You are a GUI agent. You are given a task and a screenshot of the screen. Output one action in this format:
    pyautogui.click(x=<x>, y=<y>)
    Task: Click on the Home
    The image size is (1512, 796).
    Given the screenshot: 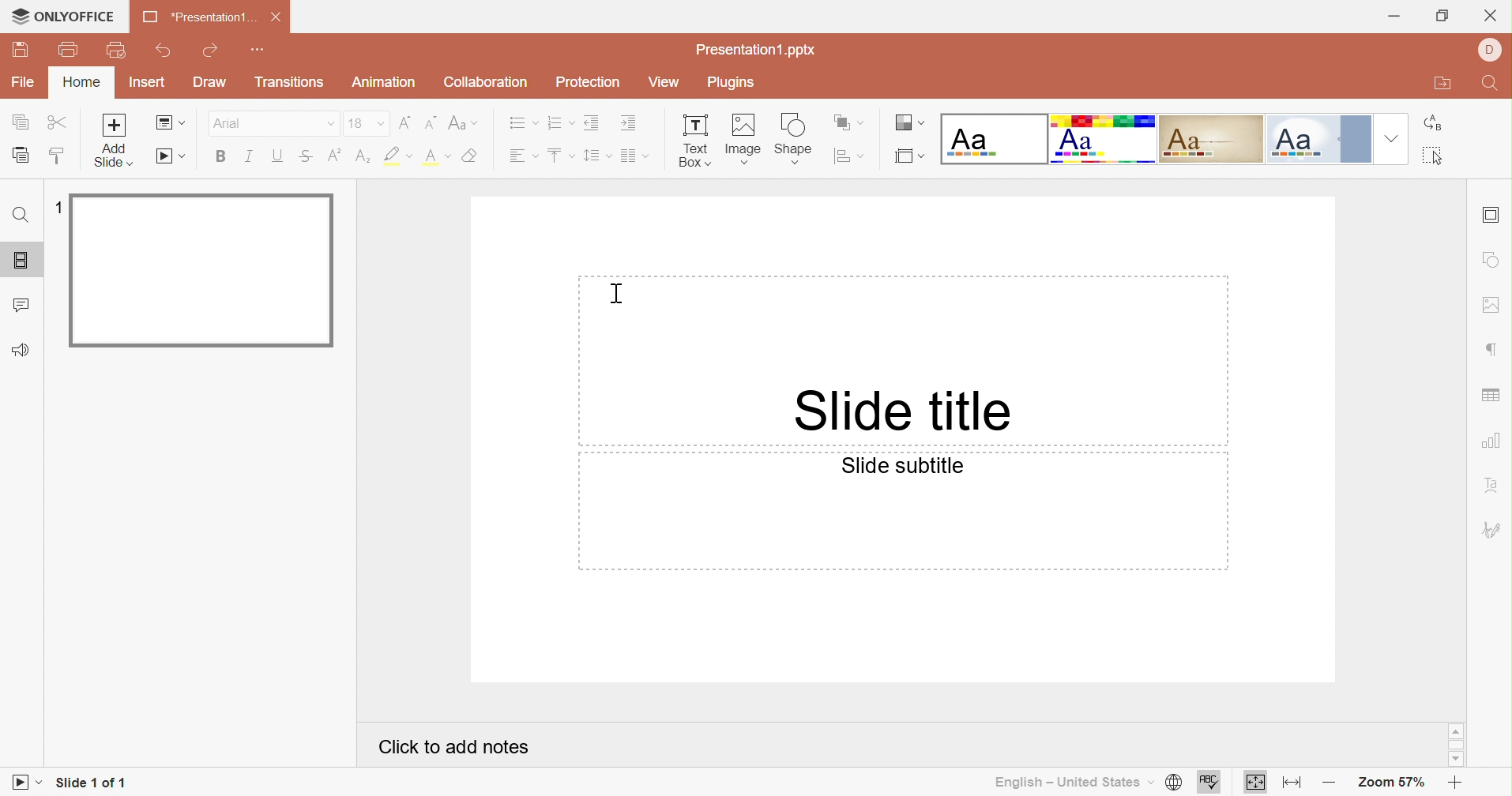 What is the action you would take?
    pyautogui.click(x=81, y=84)
    